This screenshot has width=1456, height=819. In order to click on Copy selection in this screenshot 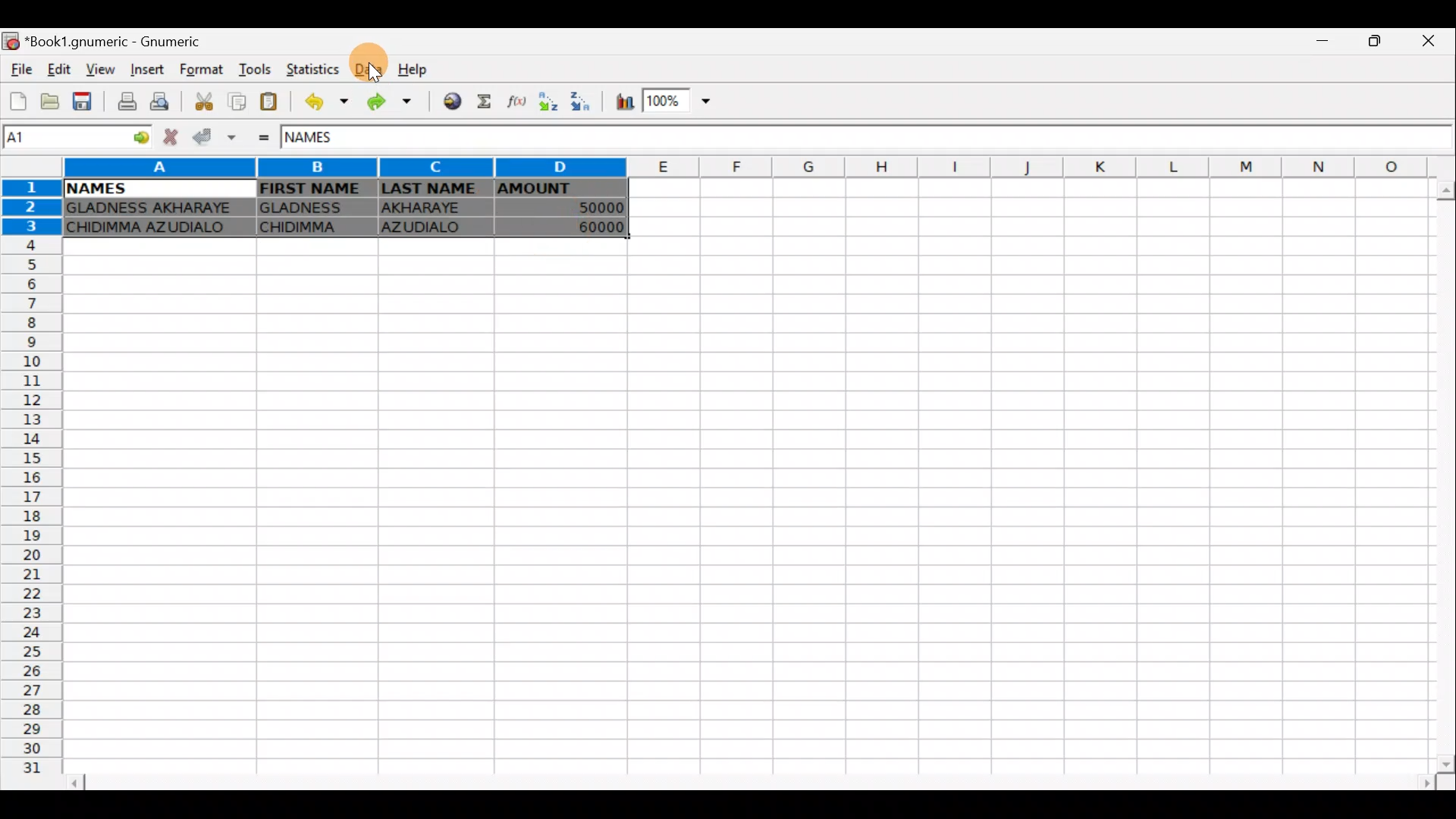, I will do `click(237, 102)`.